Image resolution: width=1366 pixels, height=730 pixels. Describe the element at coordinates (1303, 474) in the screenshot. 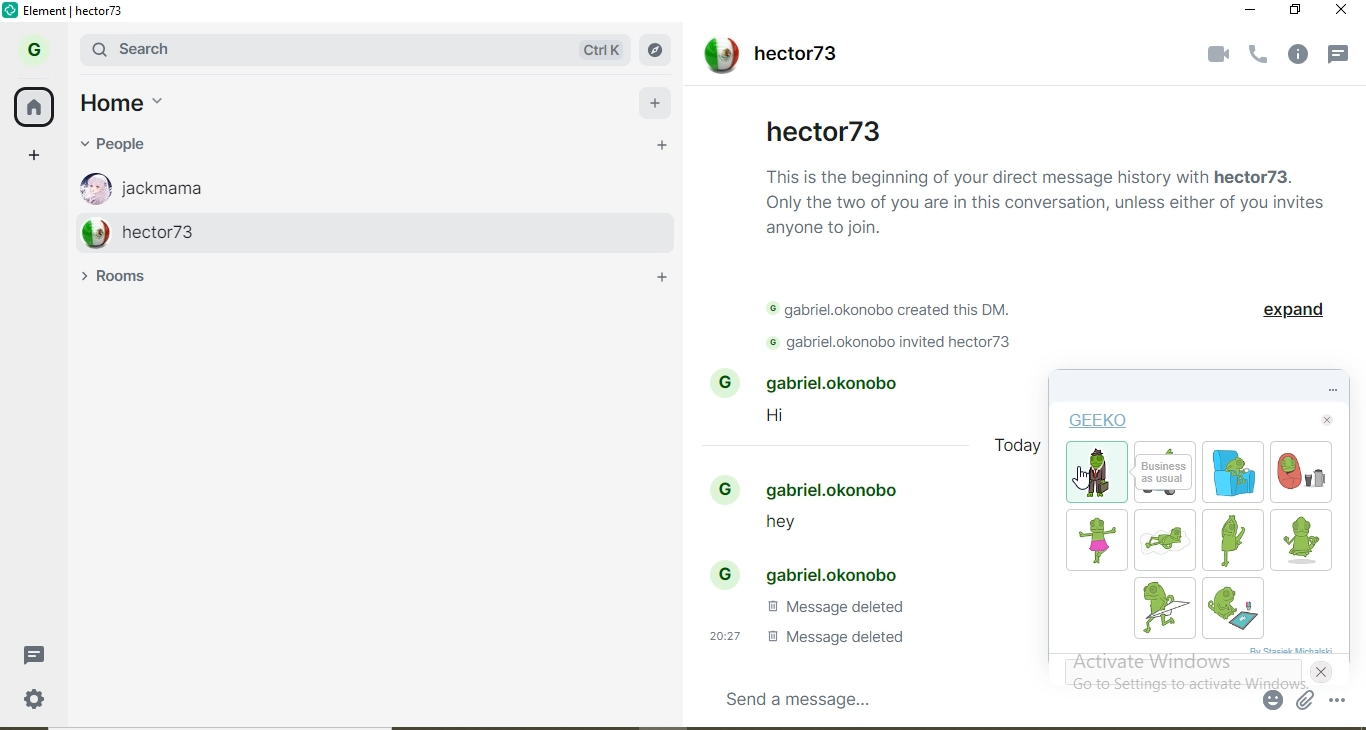

I see `sticker` at that location.